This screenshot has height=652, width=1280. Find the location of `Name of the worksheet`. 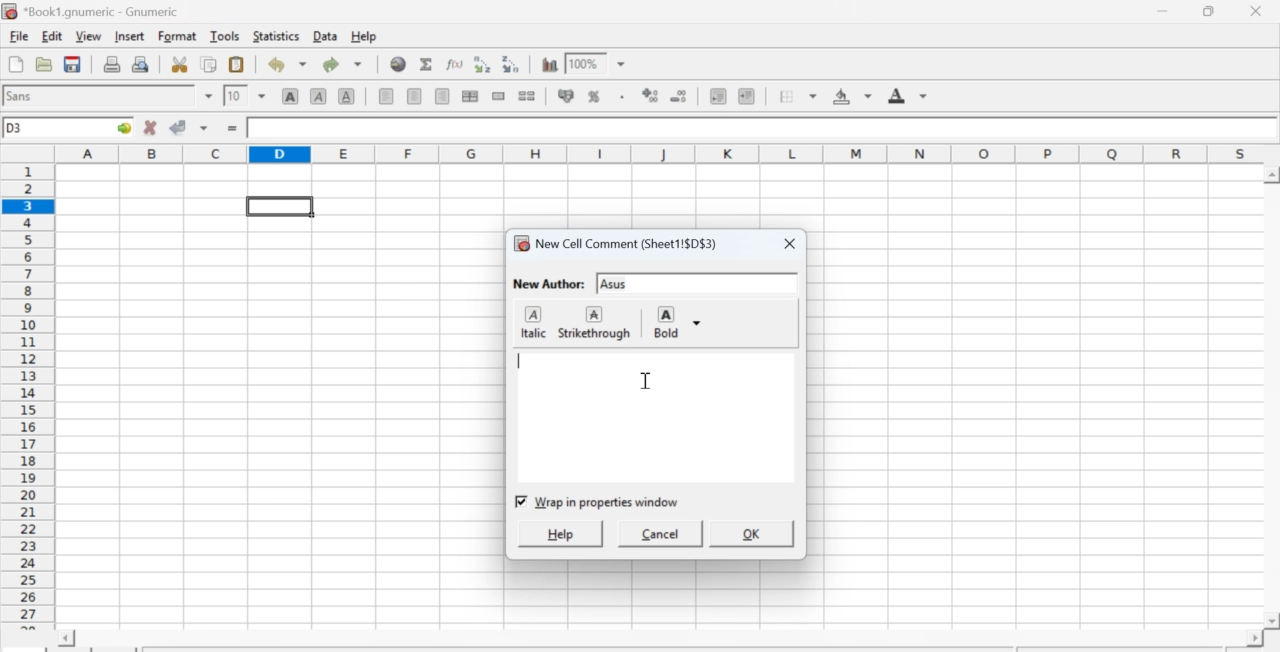

Name of the worksheet is located at coordinates (105, 11).